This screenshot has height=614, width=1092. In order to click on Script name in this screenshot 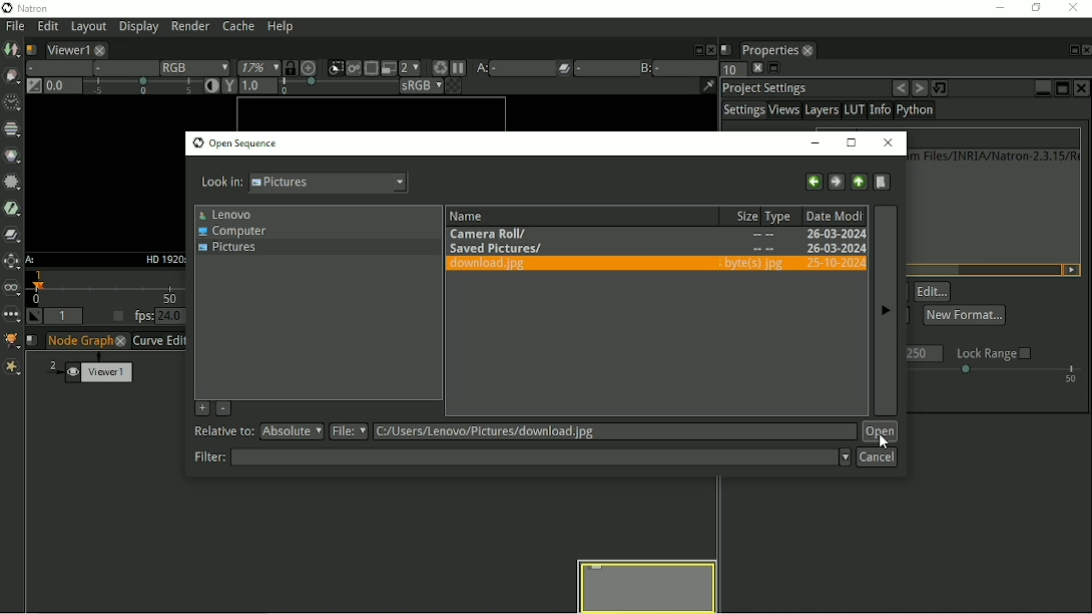, I will do `click(31, 48)`.